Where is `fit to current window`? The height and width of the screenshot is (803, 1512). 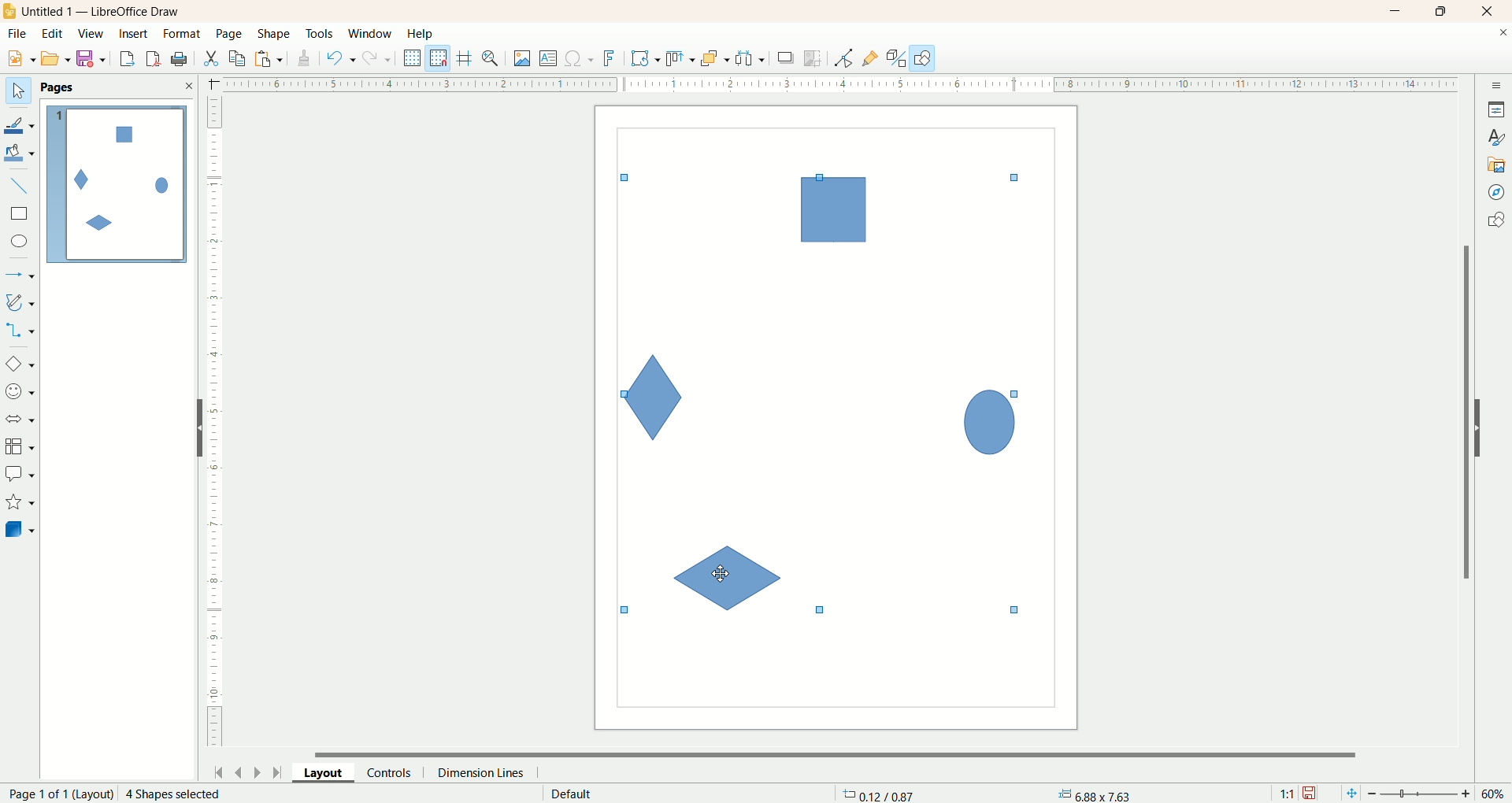 fit to current window is located at coordinates (1350, 794).